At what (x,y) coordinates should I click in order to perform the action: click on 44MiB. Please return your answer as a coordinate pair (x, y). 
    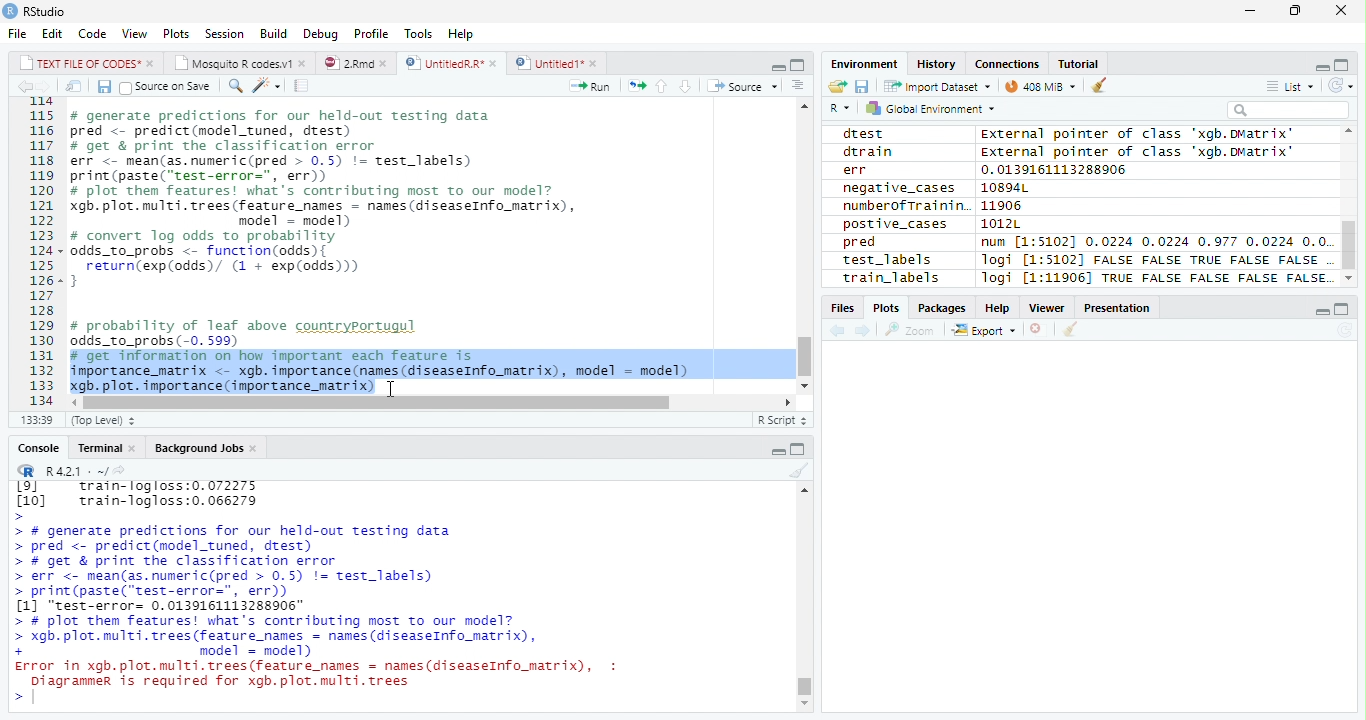
    Looking at the image, I should click on (1037, 84).